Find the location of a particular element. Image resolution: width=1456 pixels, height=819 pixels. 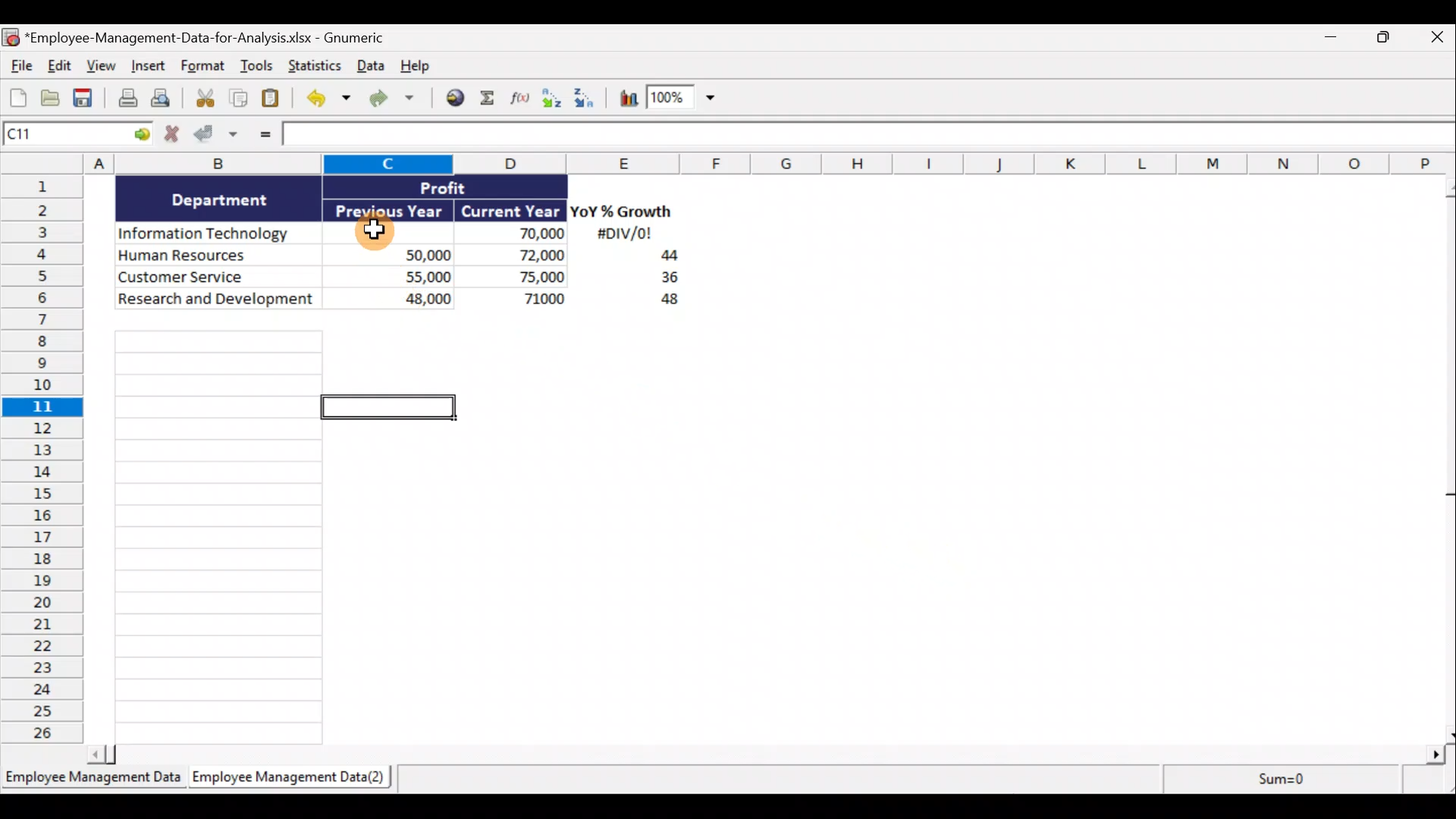

Cells is located at coordinates (755, 531).